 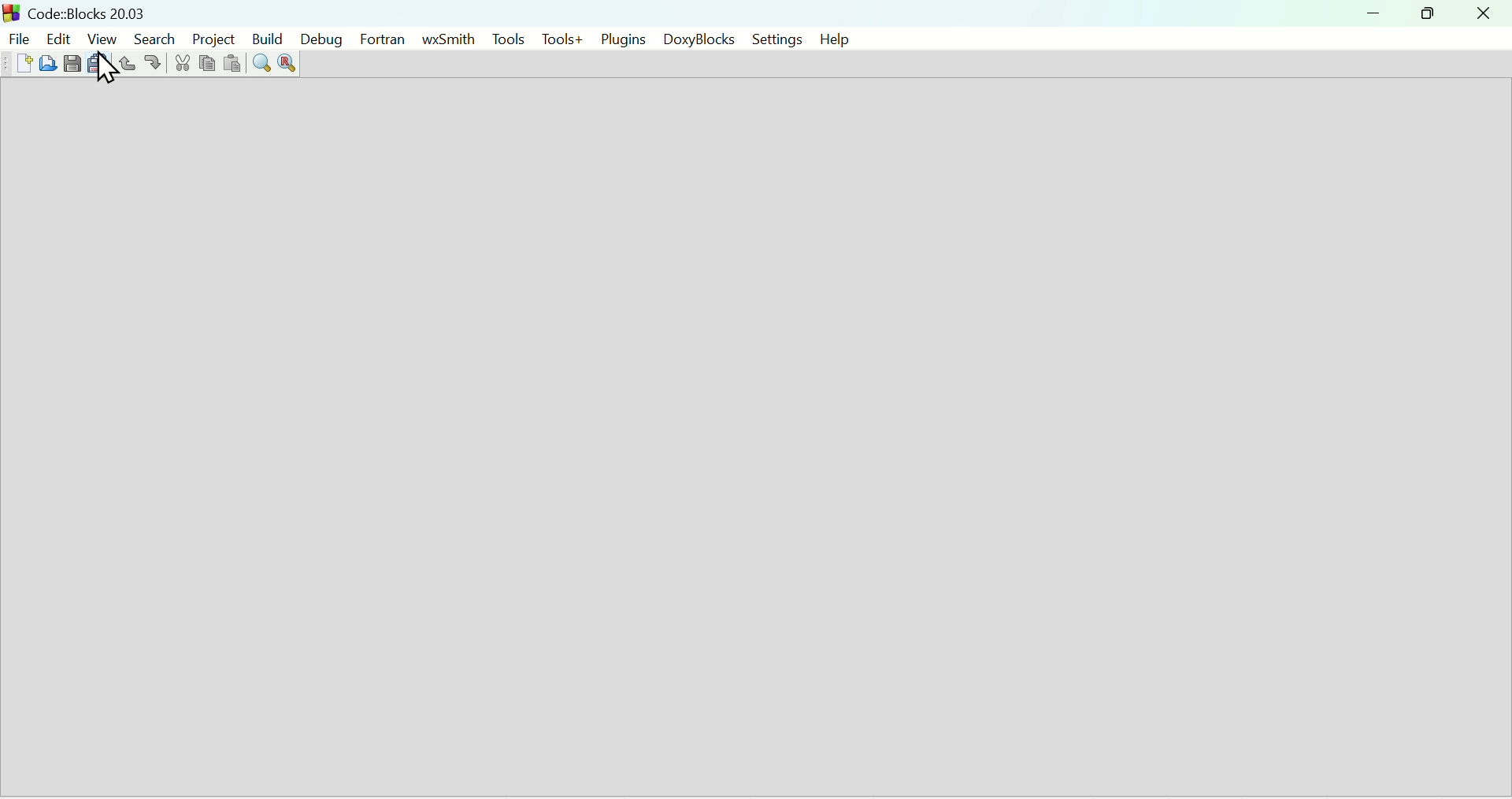 I want to click on Default Start Screen, so click(x=755, y=438).